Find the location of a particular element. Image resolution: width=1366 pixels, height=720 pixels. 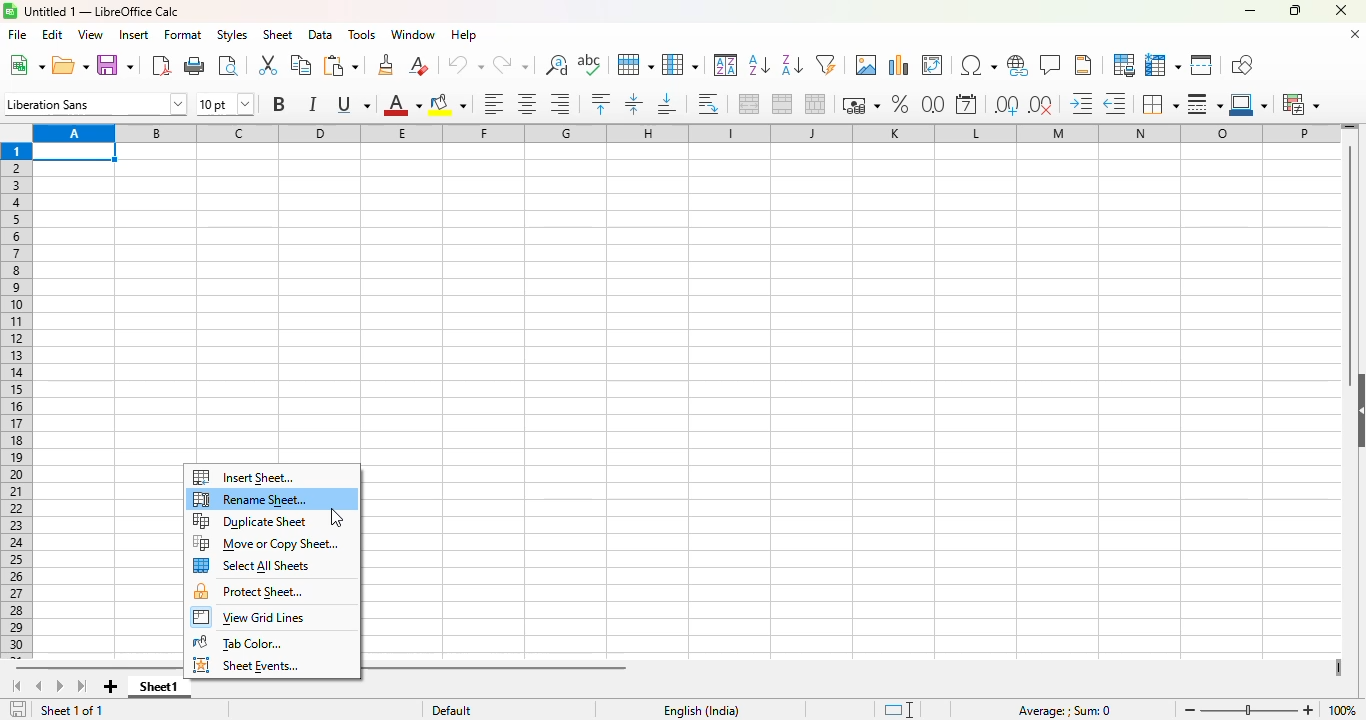

insert chart is located at coordinates (897, 65).